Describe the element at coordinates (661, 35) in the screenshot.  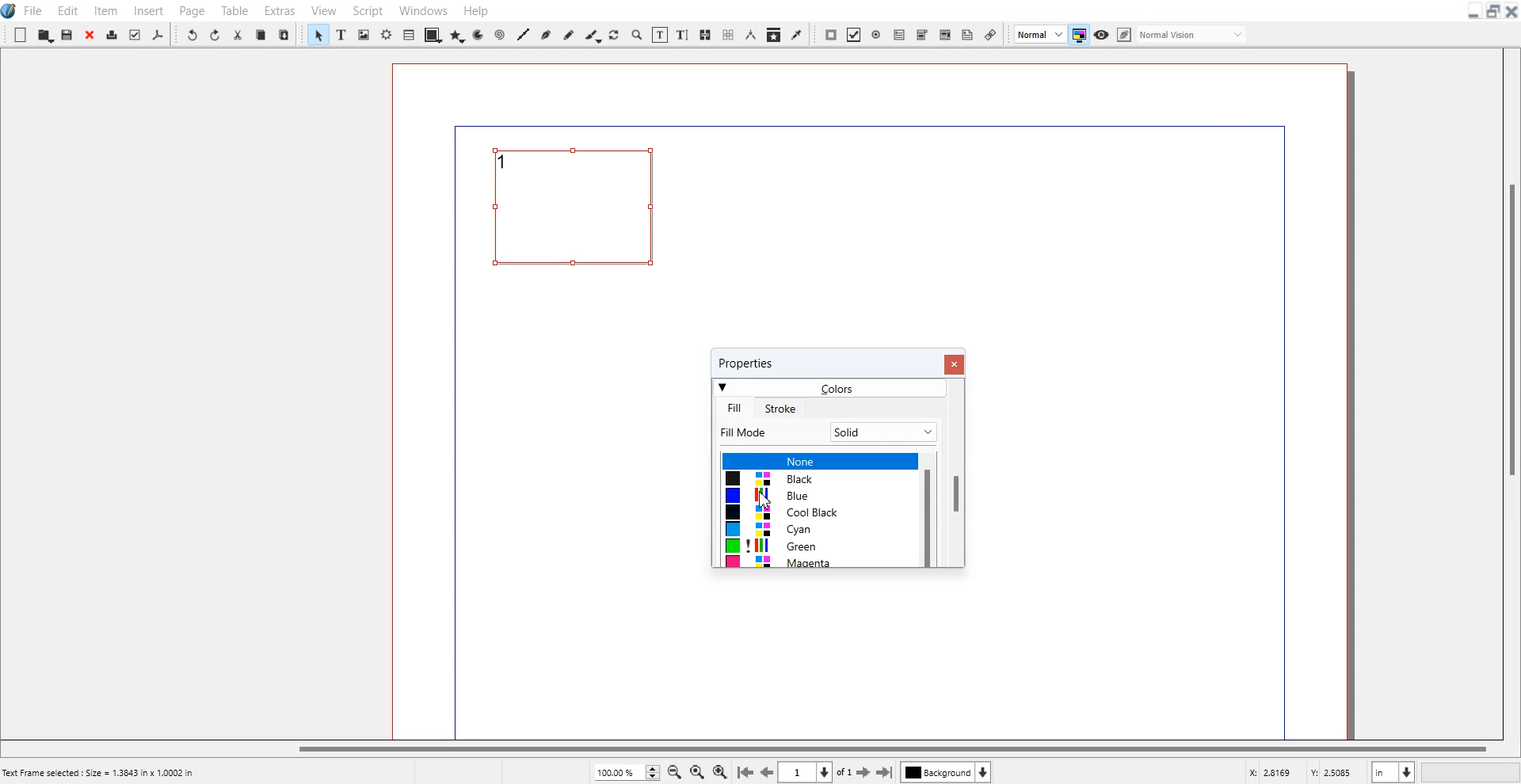
I see `Edit contents of frame` at that location.